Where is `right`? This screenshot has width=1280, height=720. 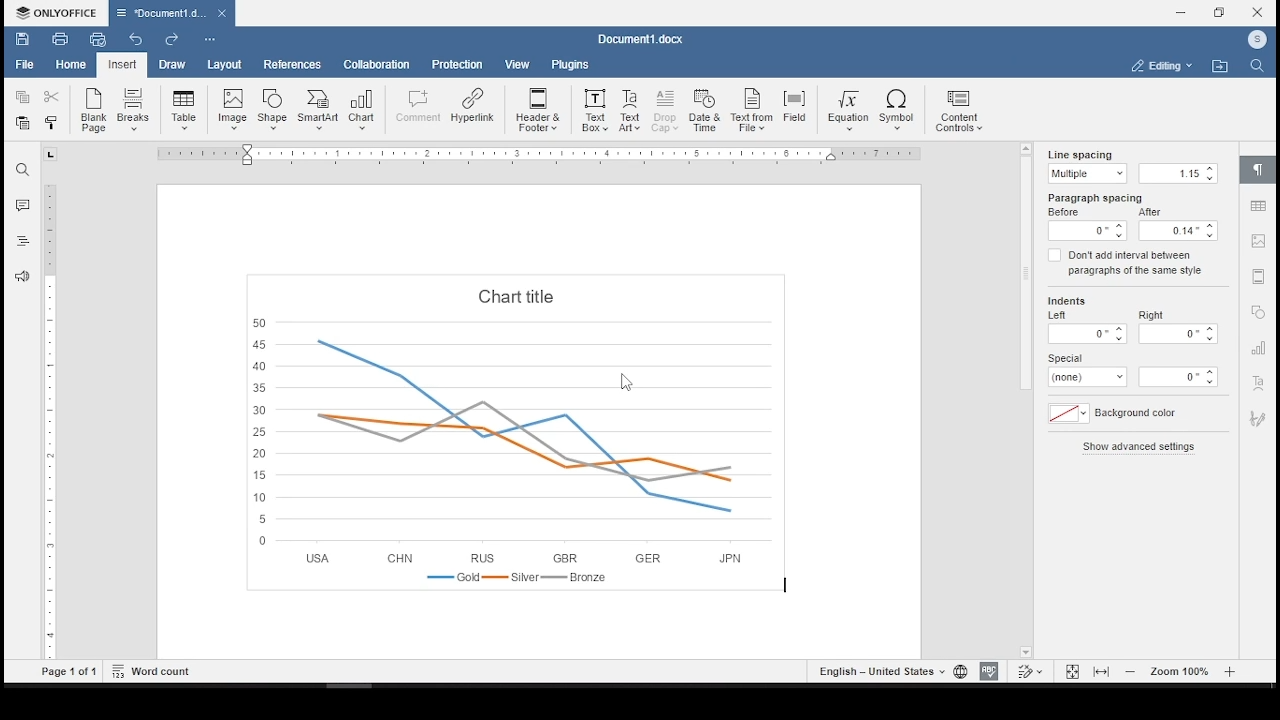
right is located at coordinates (1177, 326).